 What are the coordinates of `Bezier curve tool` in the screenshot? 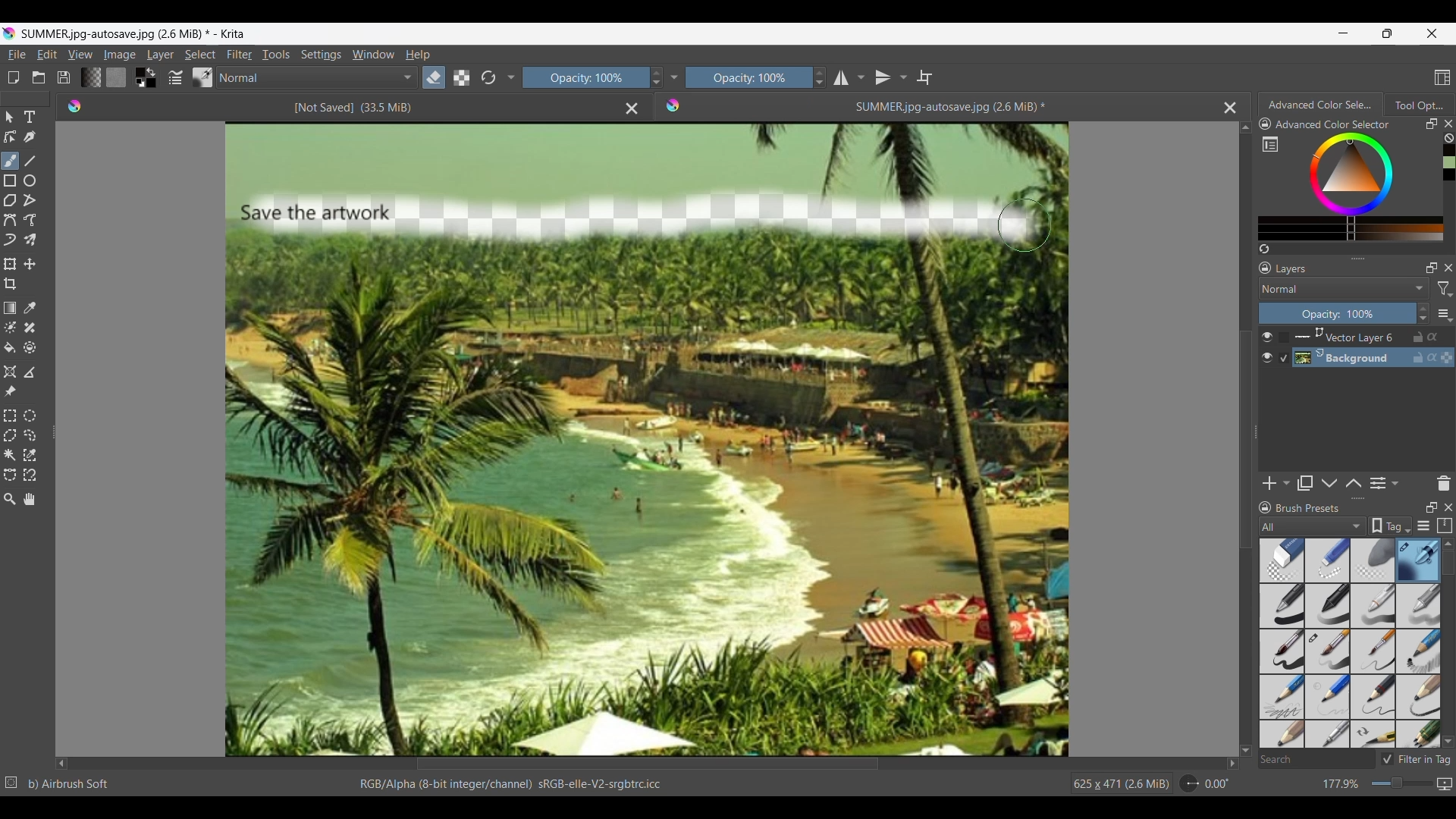 It's located at (10, 220).